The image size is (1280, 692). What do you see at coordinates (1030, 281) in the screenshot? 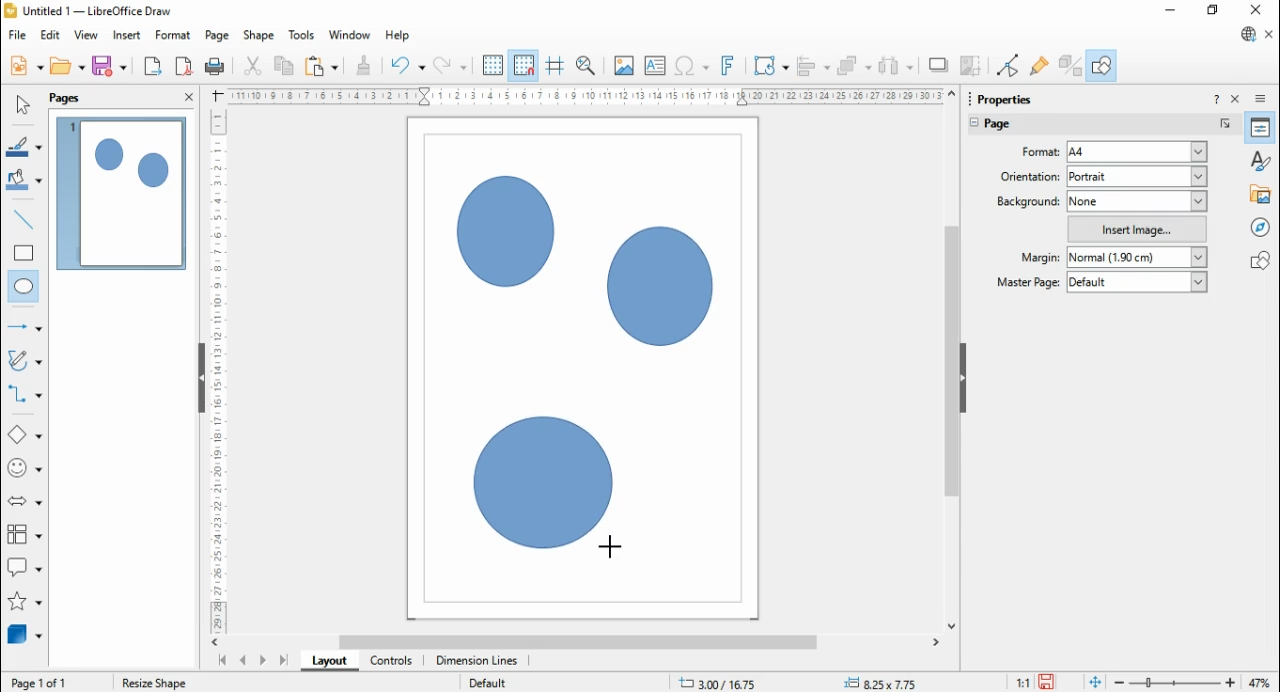
I see `master page` at bounding box center [1030, 281].